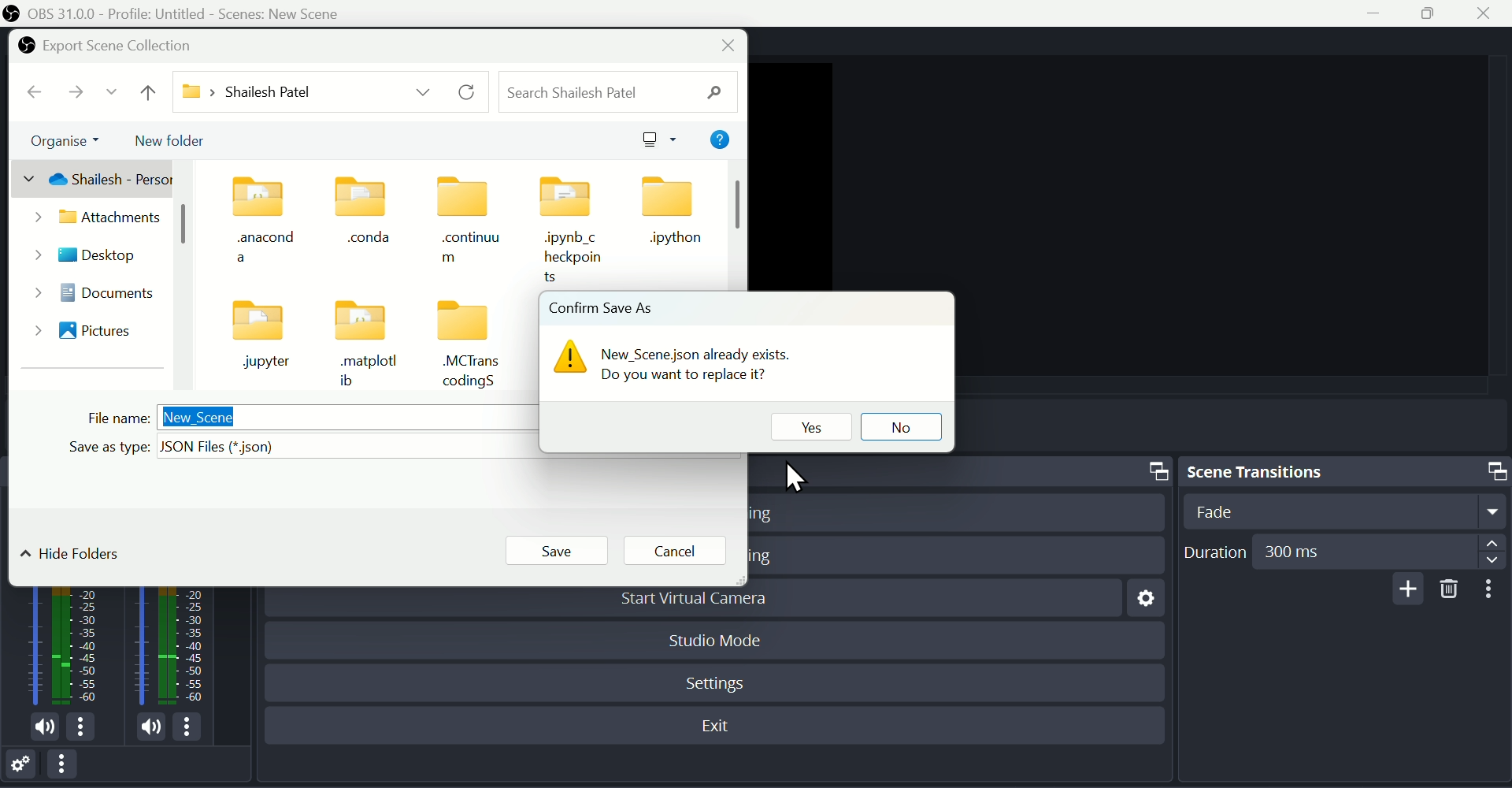 Image resolution: width=1512 pixels, height=788 pixels. Describe the element at coordinates (70, 768) in the screenshot. I see `More options` at that location.